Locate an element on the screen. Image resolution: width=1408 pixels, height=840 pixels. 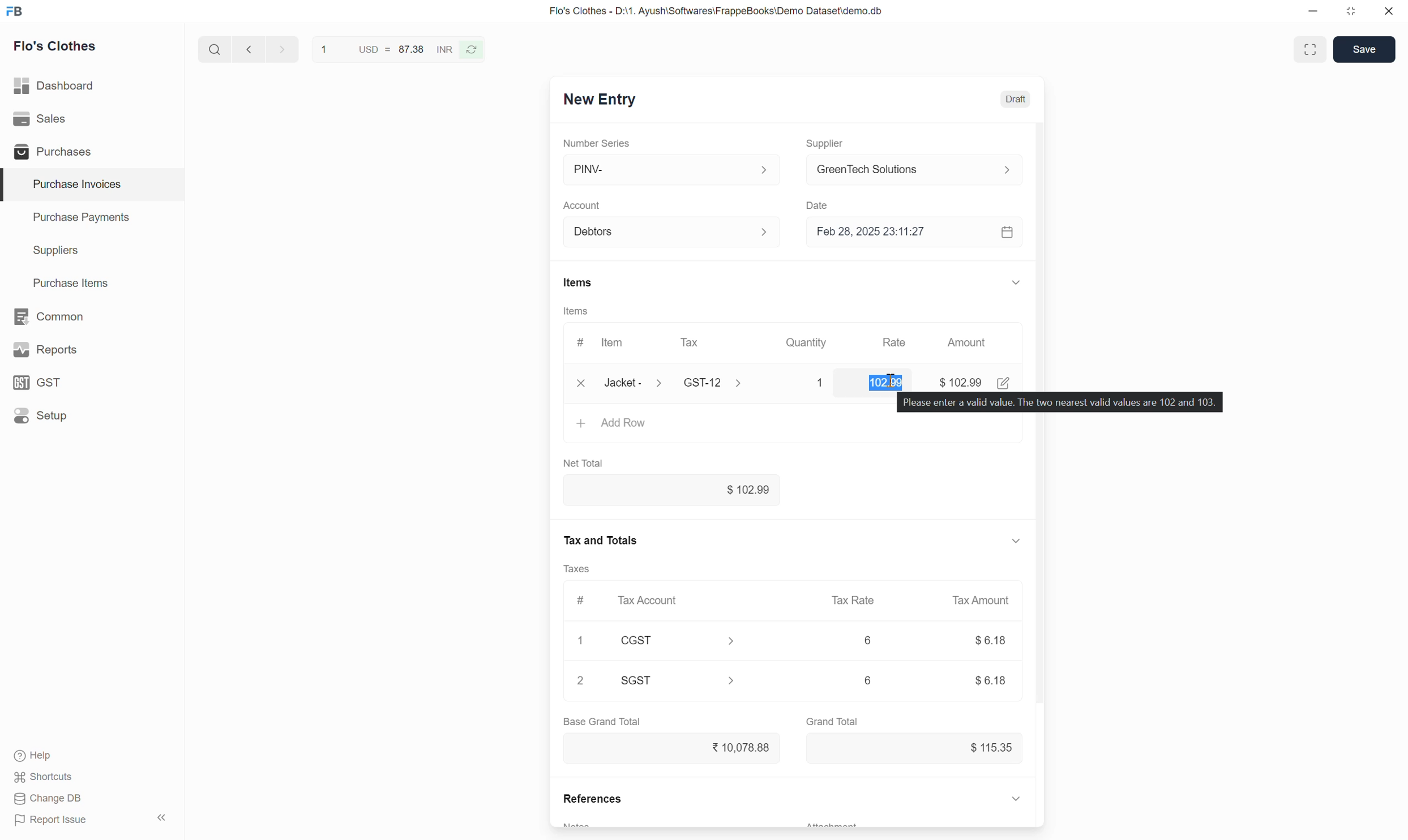
Amount is located at coordinates (969, 342).